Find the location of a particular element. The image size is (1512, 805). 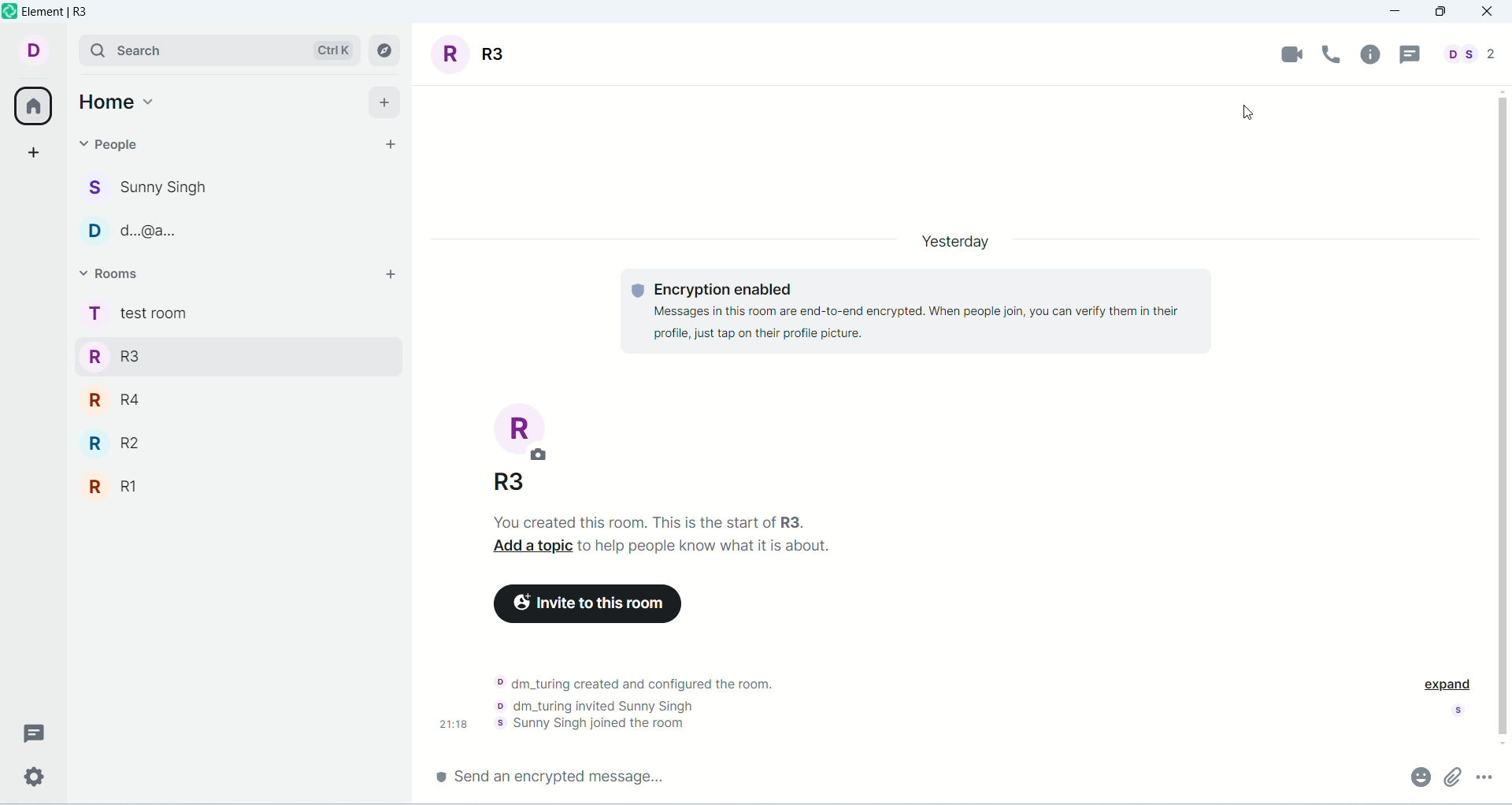

start chat is located at coordinates (390, 145).